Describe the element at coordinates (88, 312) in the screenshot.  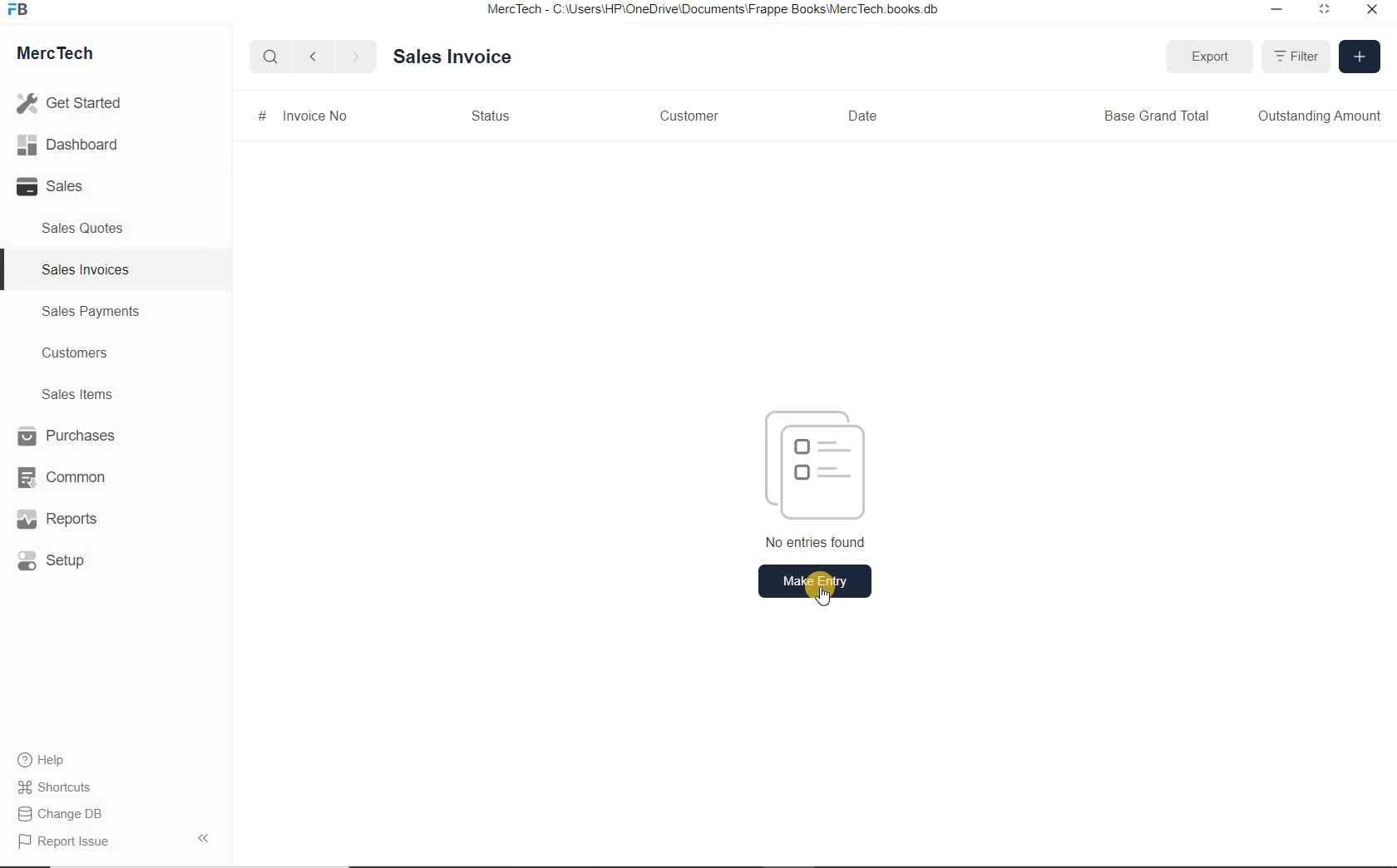
I see `Sales Payments` at that location.